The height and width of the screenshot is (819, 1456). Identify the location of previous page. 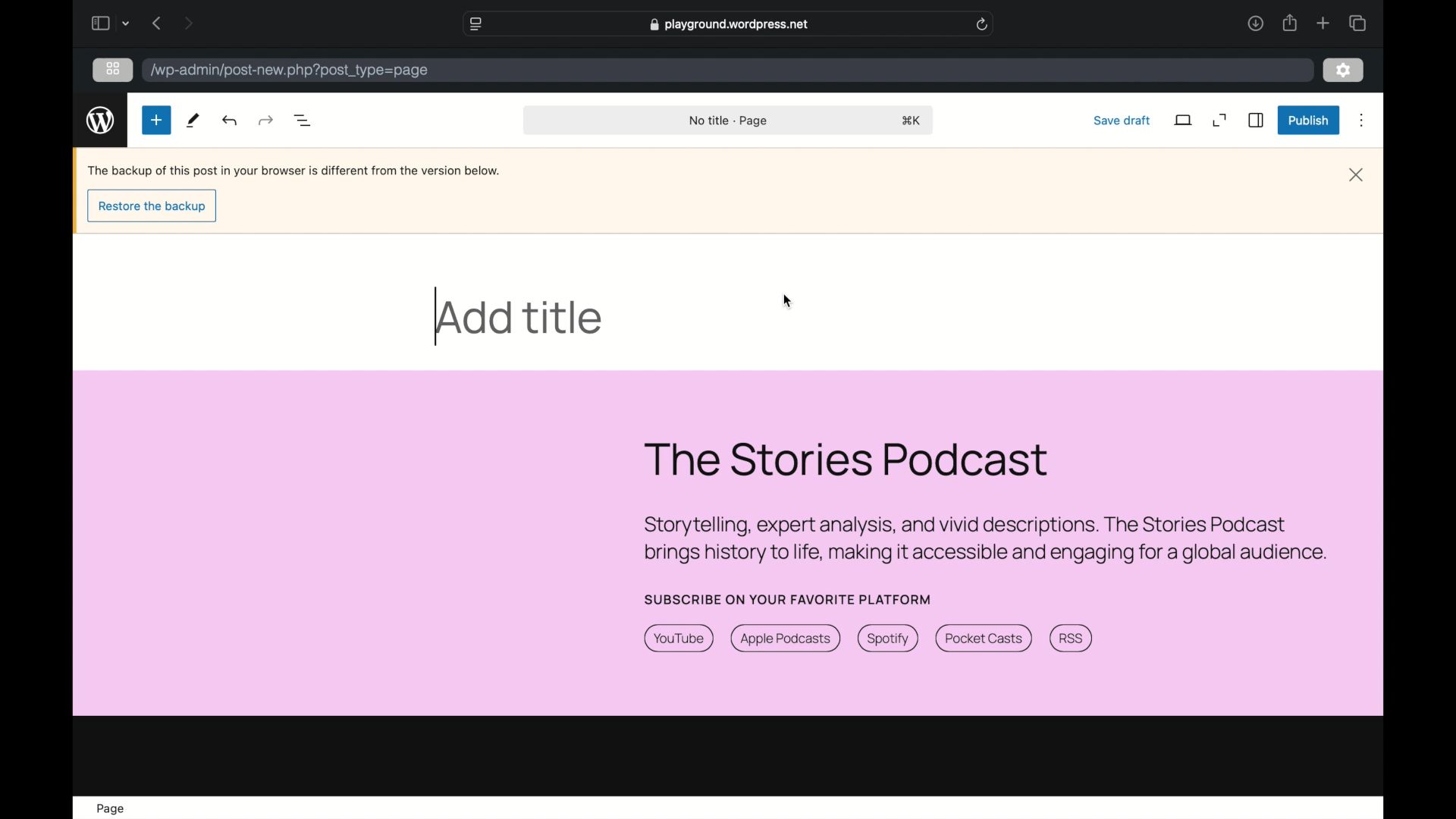
(158, 24).